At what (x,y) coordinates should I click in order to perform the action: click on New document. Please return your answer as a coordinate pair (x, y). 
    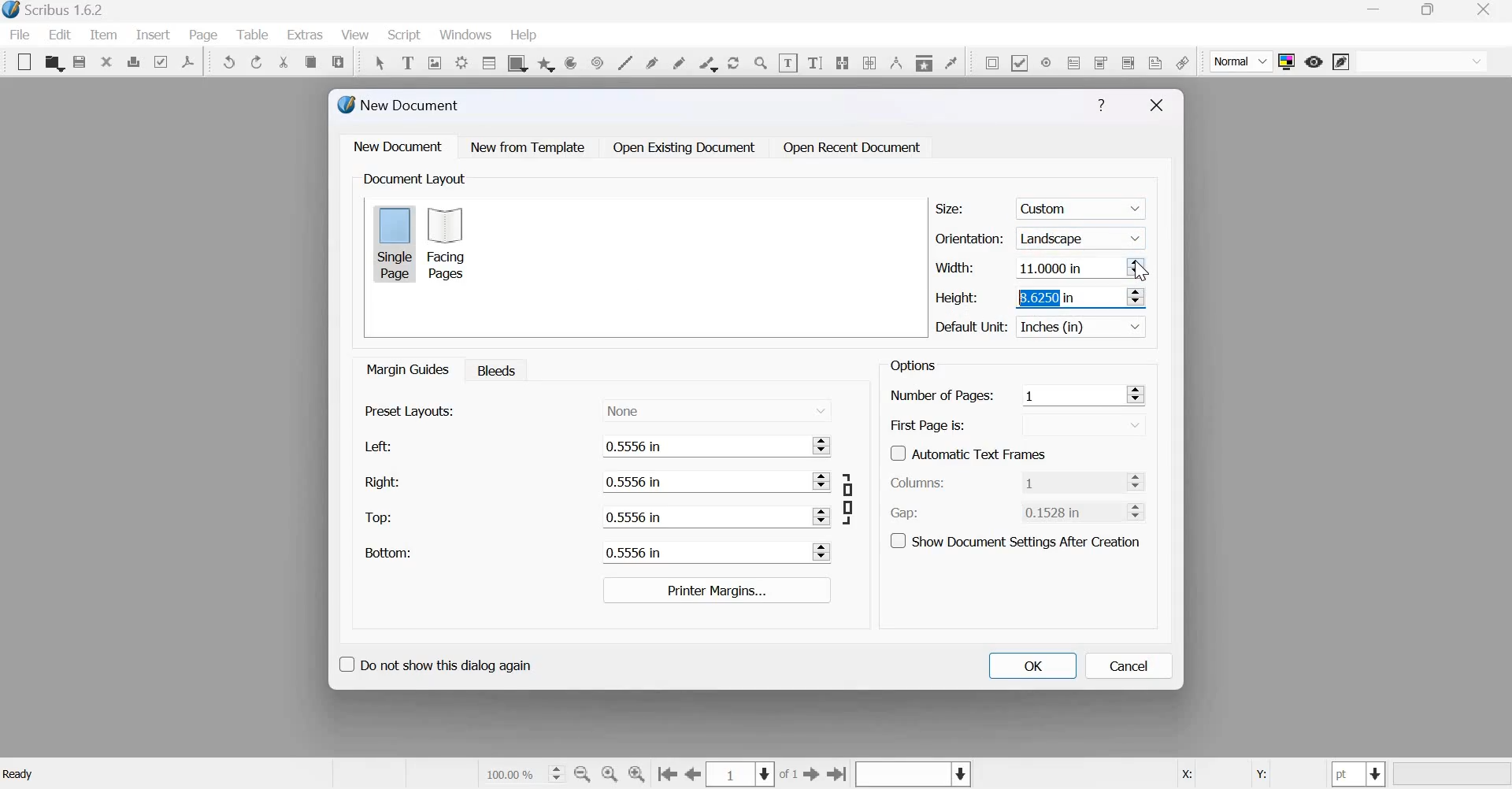
    Looking at the image, I should click on (398, 146).